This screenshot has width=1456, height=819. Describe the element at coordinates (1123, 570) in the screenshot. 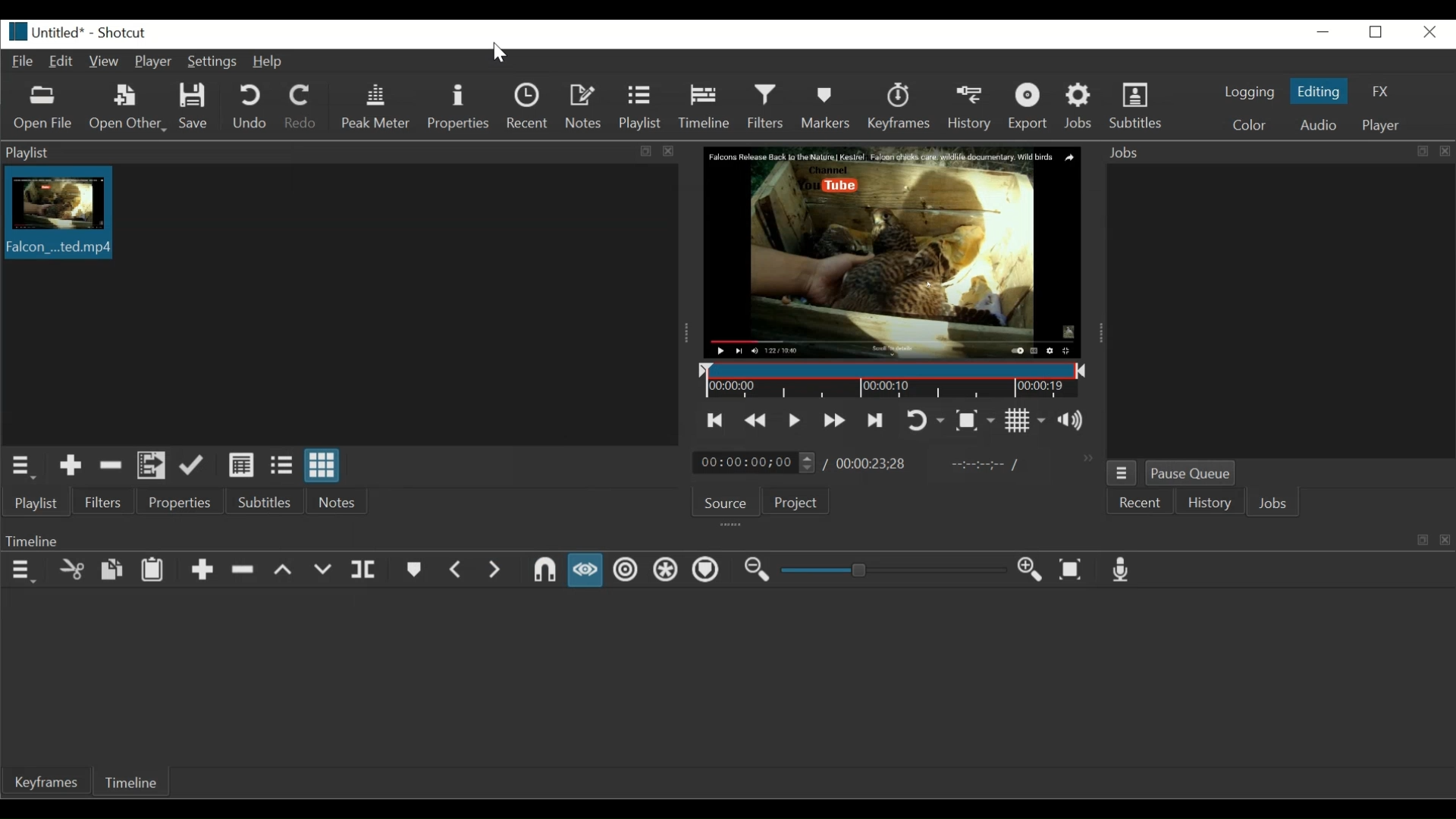

I see `Record audio` at that location.